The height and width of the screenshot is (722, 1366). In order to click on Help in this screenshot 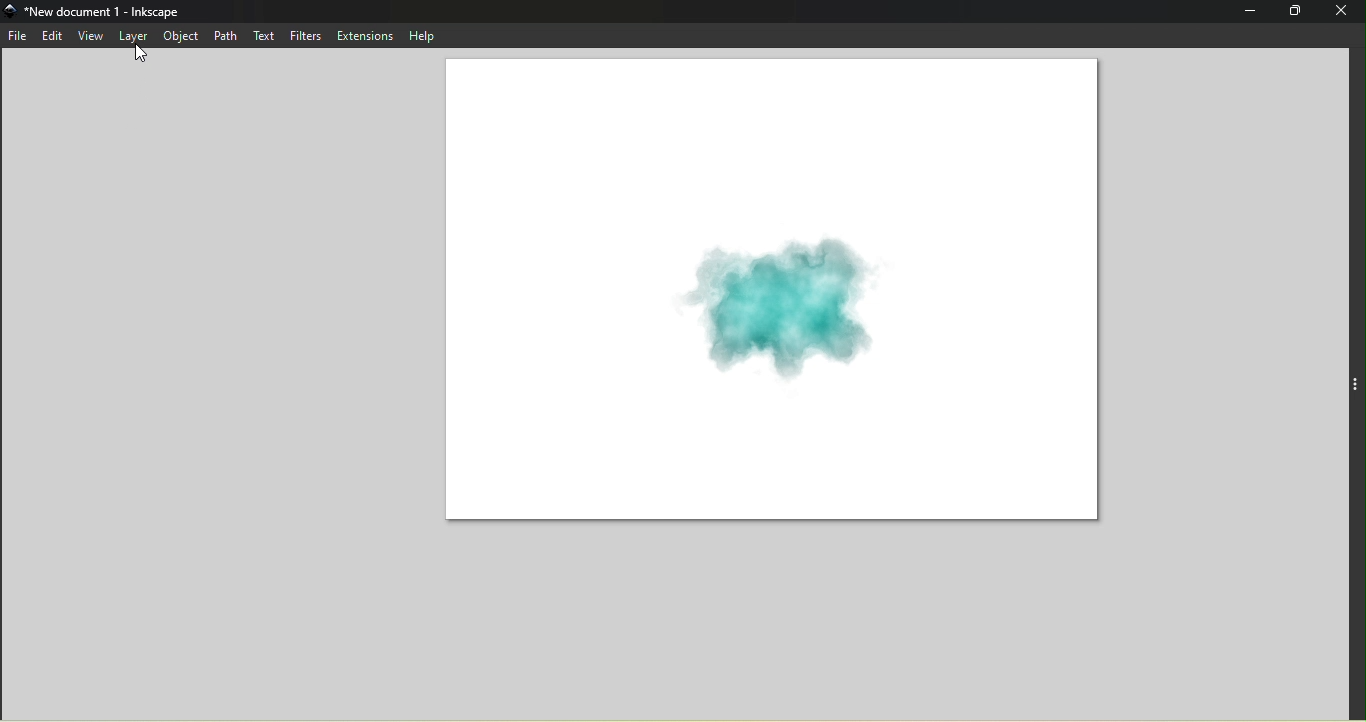, I will do `click(419, 35)`.